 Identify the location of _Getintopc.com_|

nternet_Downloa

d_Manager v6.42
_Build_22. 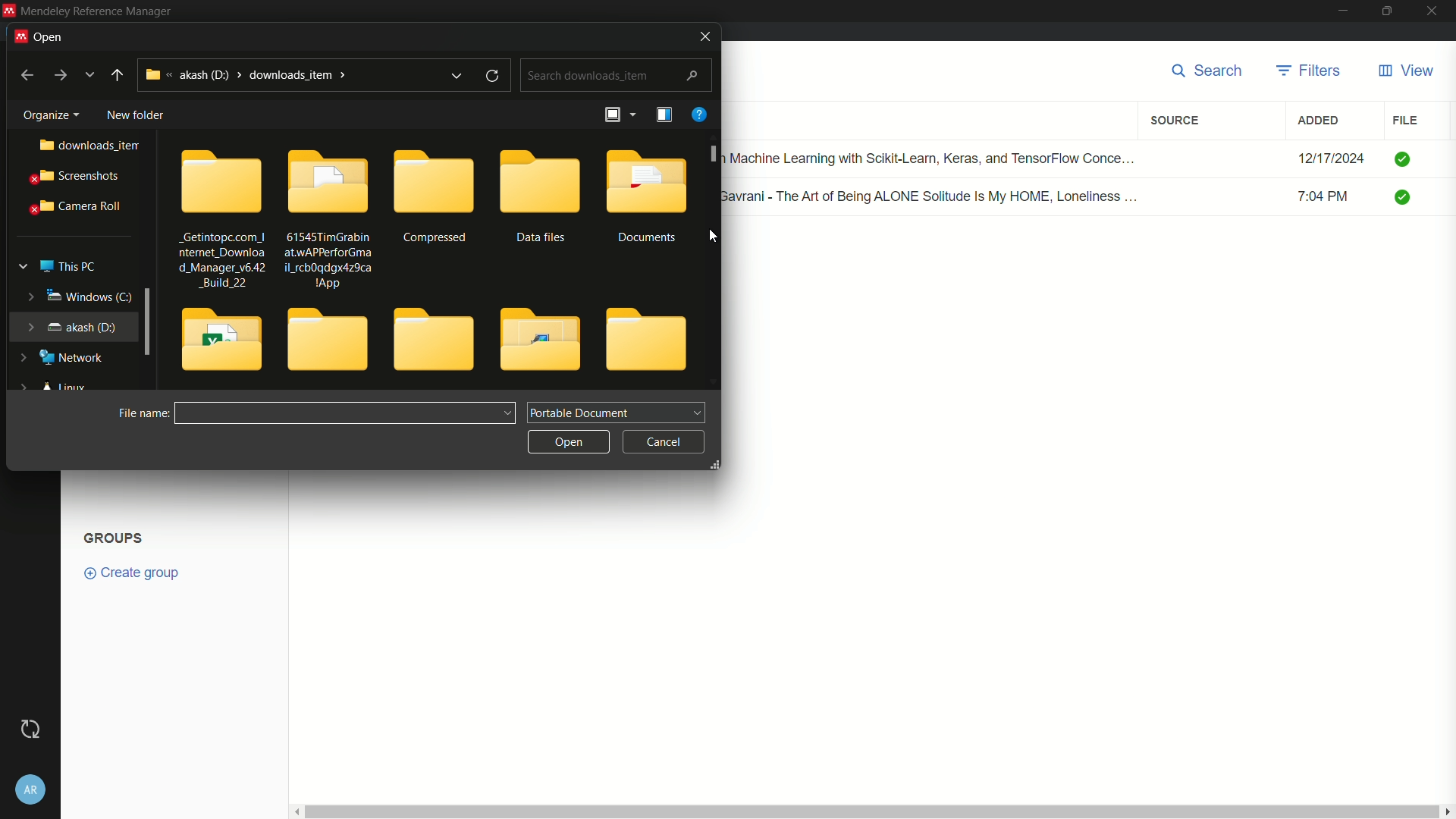
(222, 216).